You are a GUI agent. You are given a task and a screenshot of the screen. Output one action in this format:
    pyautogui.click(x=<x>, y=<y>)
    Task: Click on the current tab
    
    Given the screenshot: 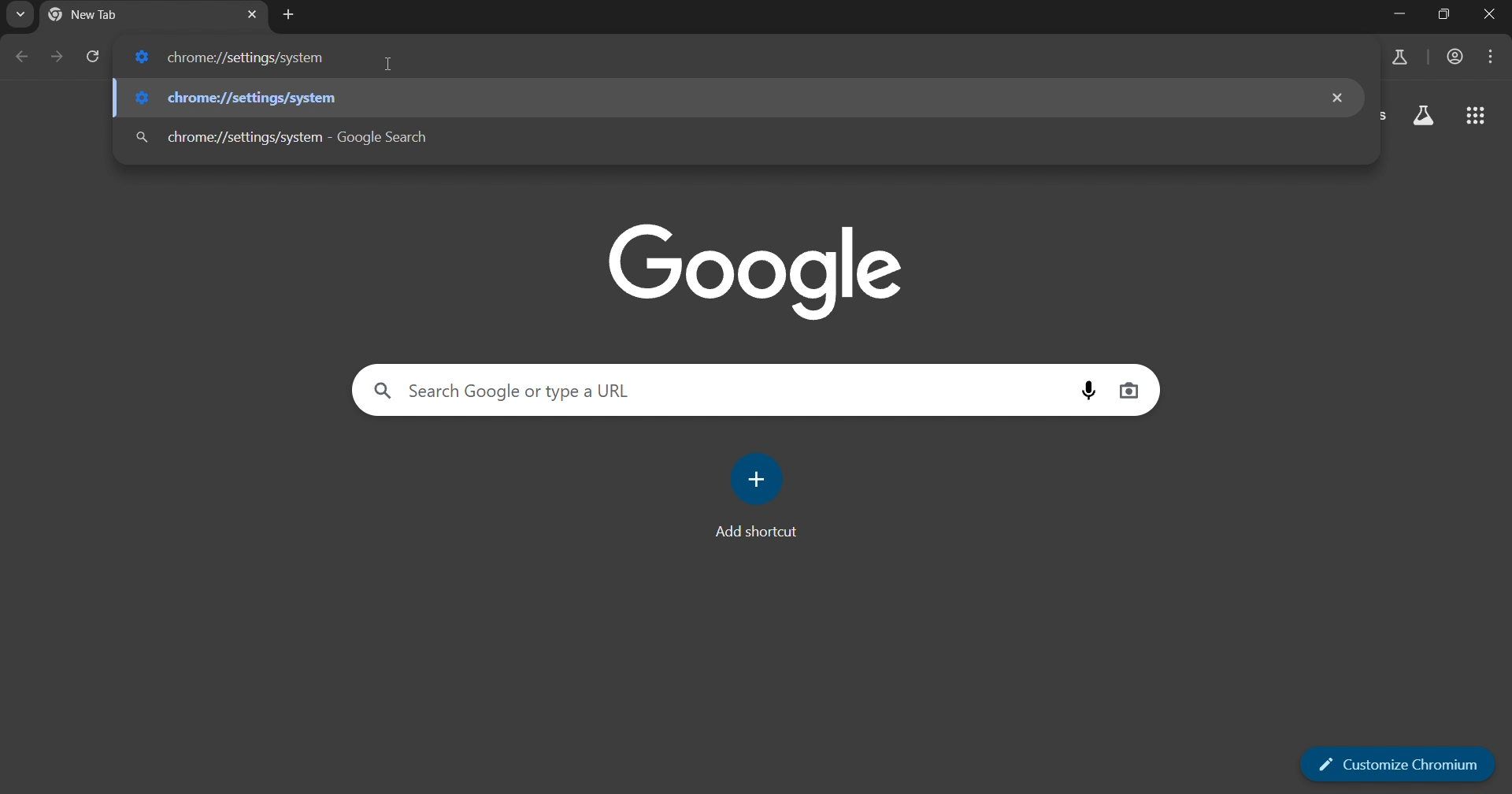 What is the action you would take?
    pyautogui.click(x=116, y=15)
    